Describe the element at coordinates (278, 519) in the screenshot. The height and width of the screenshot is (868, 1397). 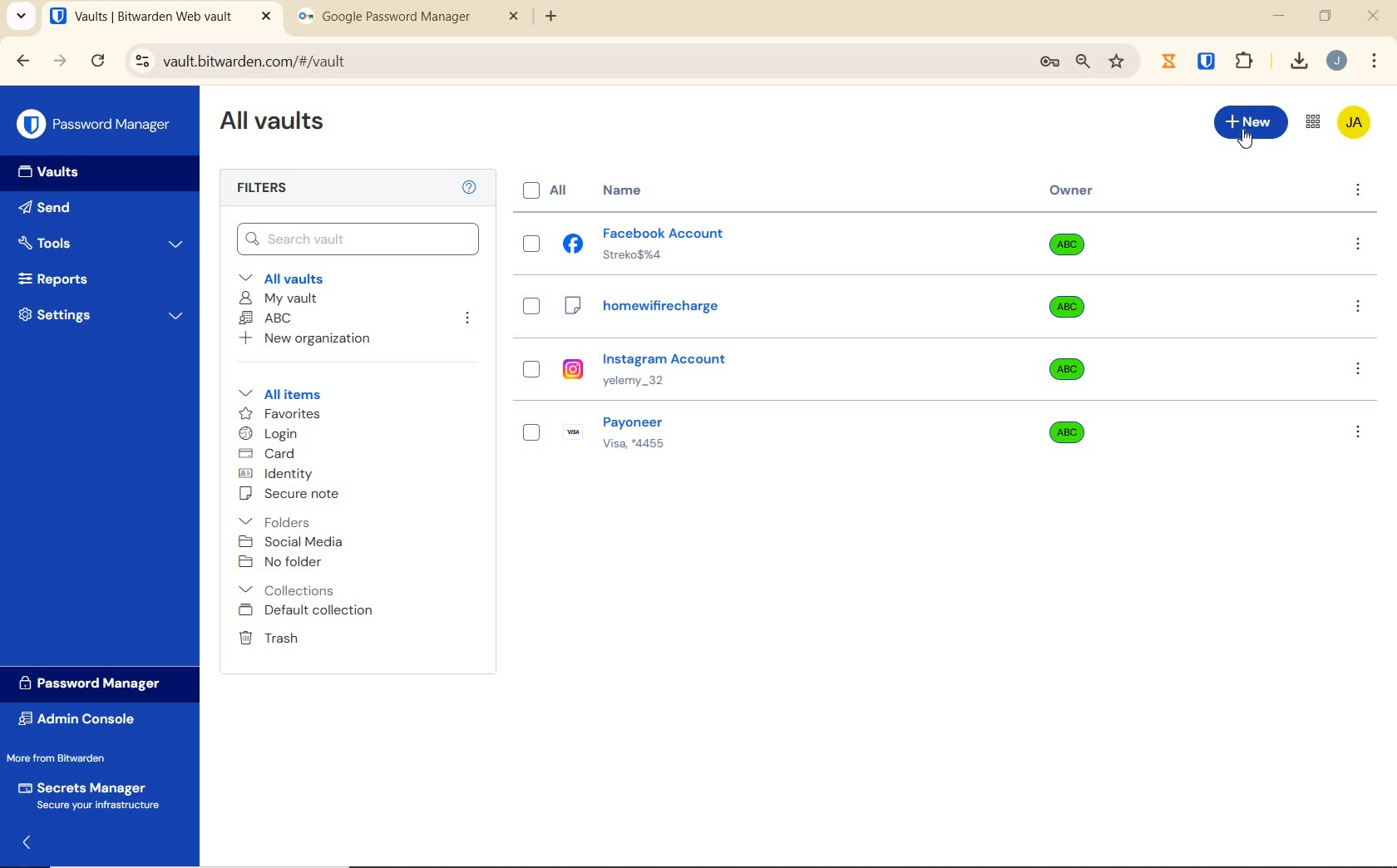
I see `Folders` at that location.